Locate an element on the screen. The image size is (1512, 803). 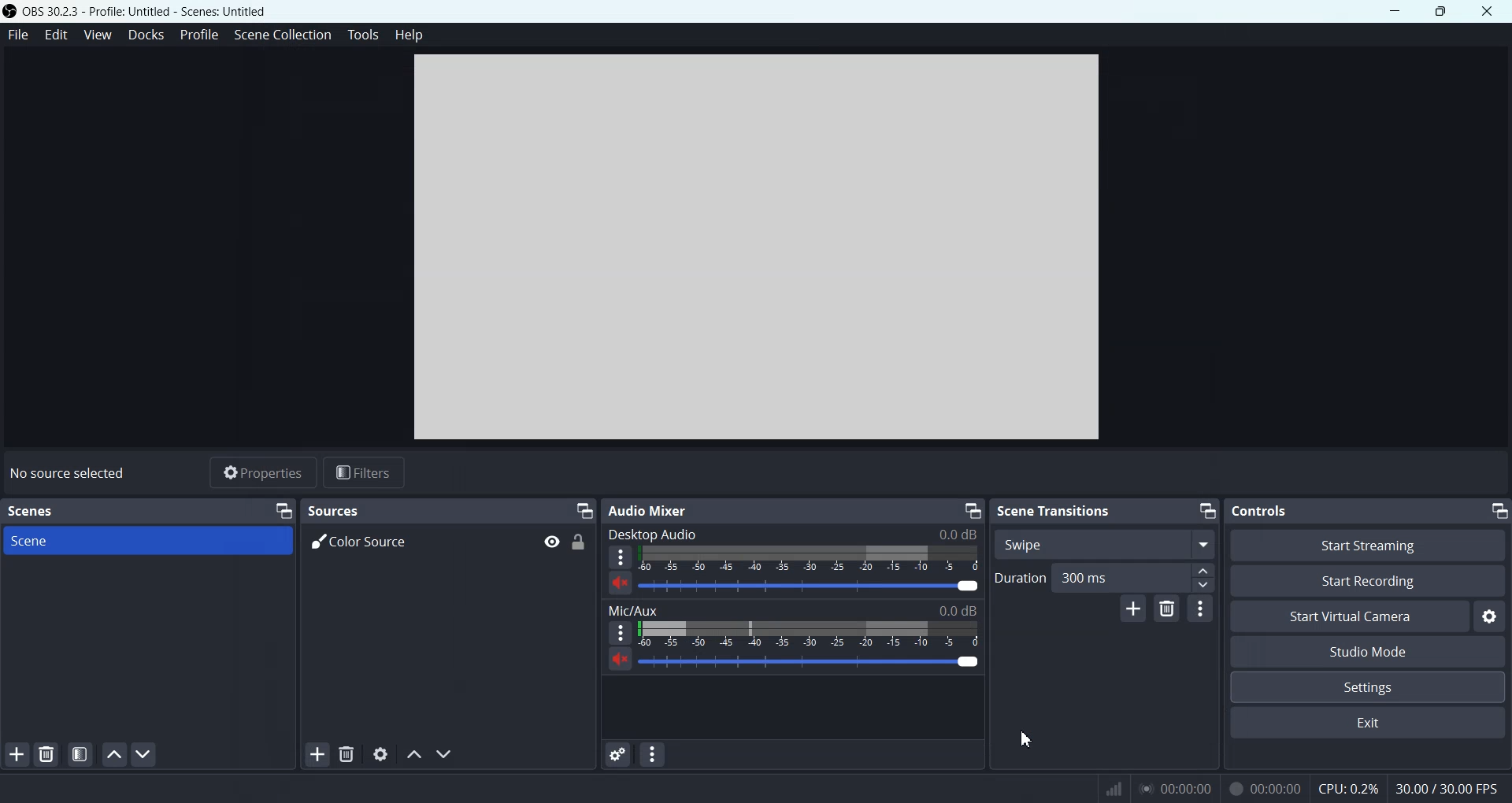
Minimize is located at coordinates (283, 509).